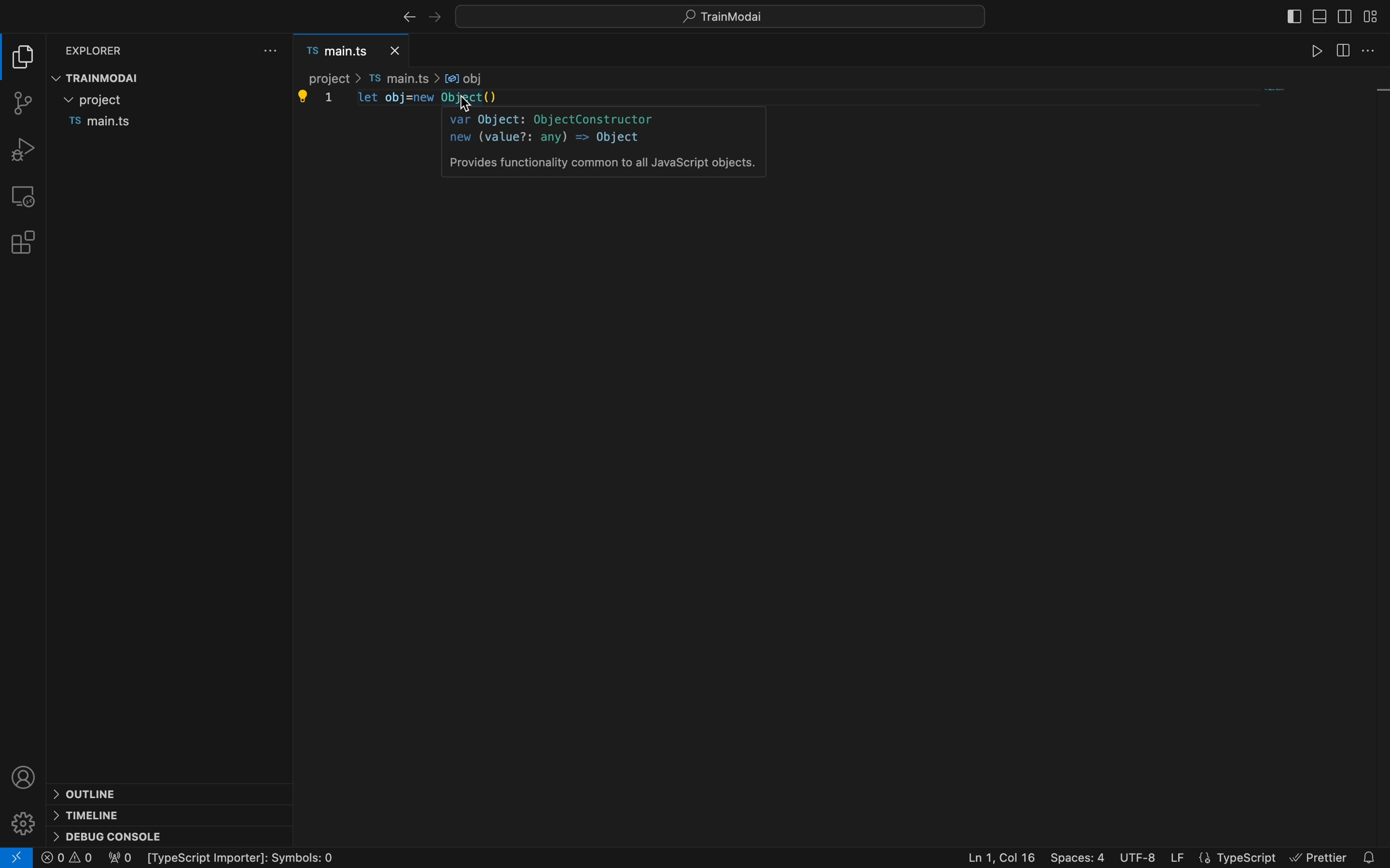 The height and width of the screenshot is (868, 1390). I want to click on file explore, so click(25, 55).